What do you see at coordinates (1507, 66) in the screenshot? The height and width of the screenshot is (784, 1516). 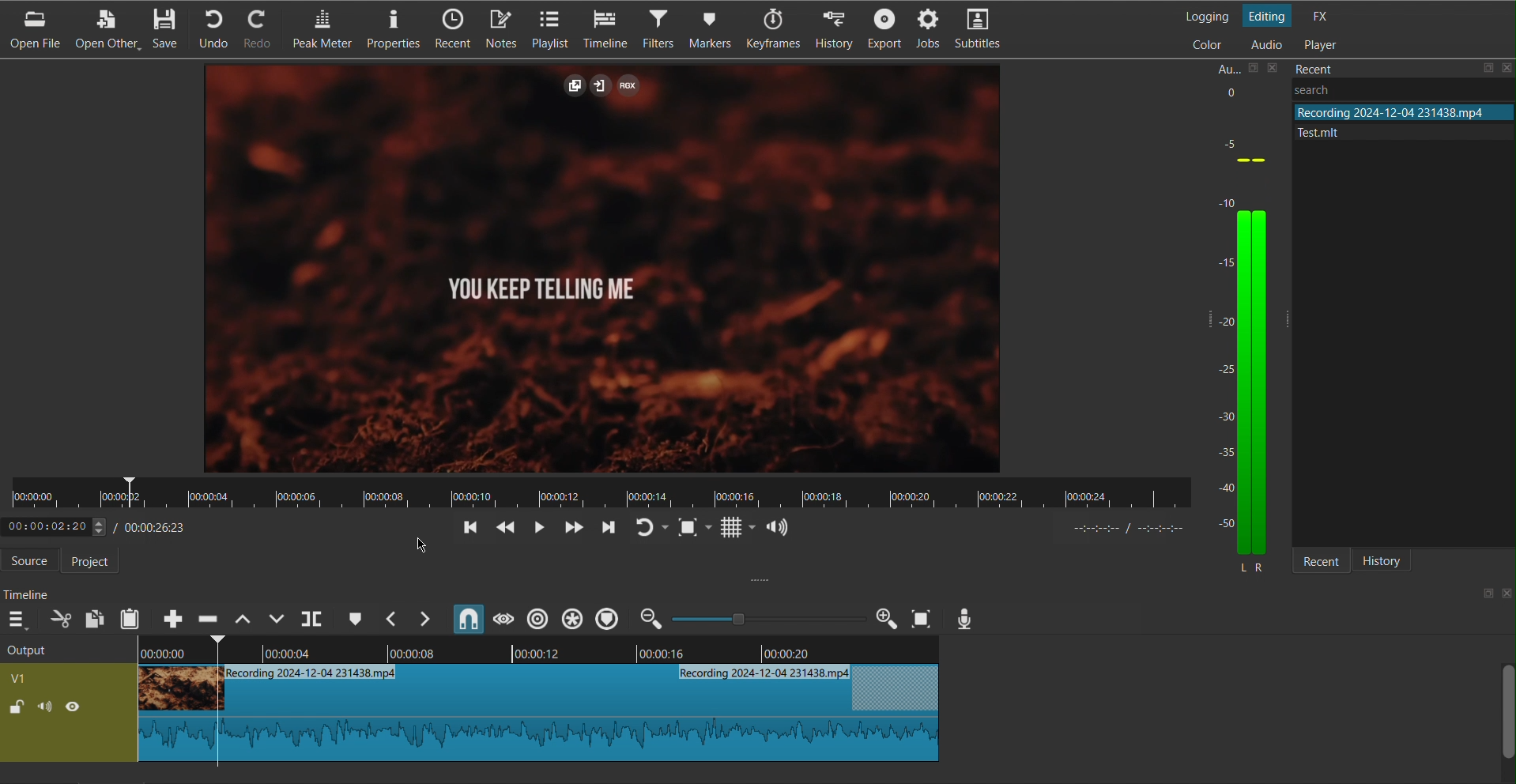 I see `close` at bounding box center [1507, 66].